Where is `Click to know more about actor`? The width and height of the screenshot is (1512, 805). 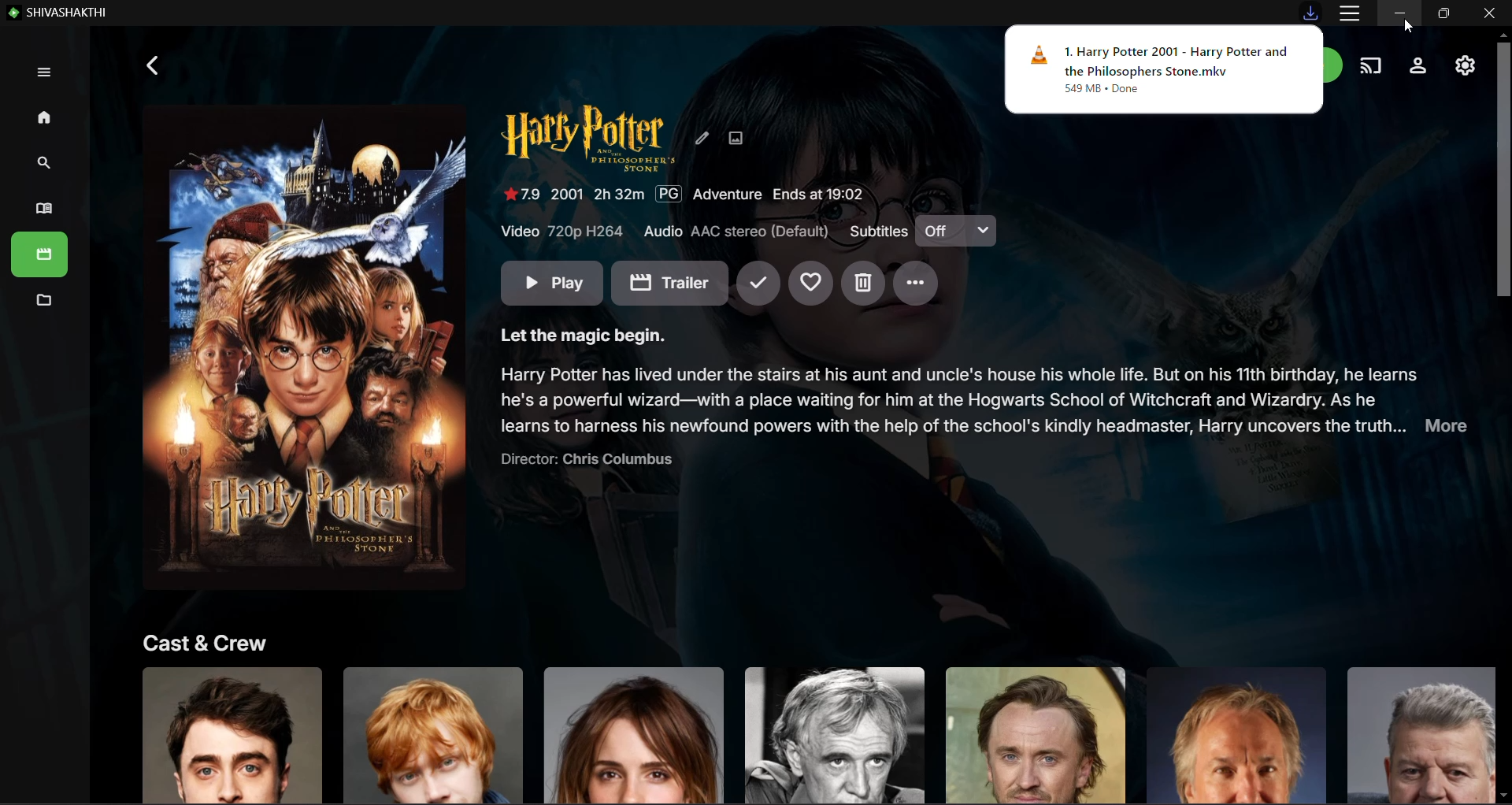
Click to know more about actor is located at coordinates (1035, 735).